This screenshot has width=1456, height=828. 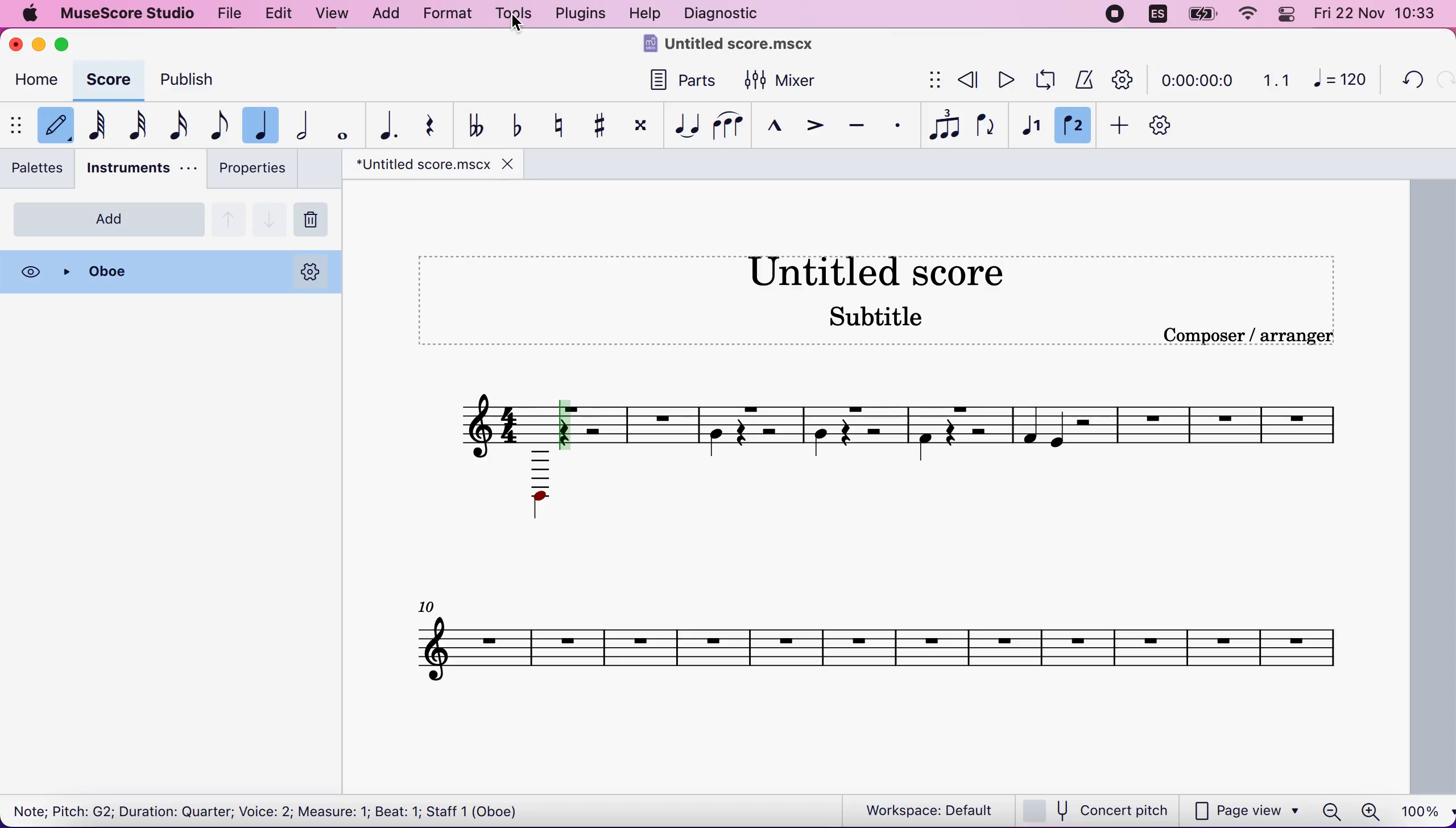 I want to click on 120, so click(x=1341, y=78).